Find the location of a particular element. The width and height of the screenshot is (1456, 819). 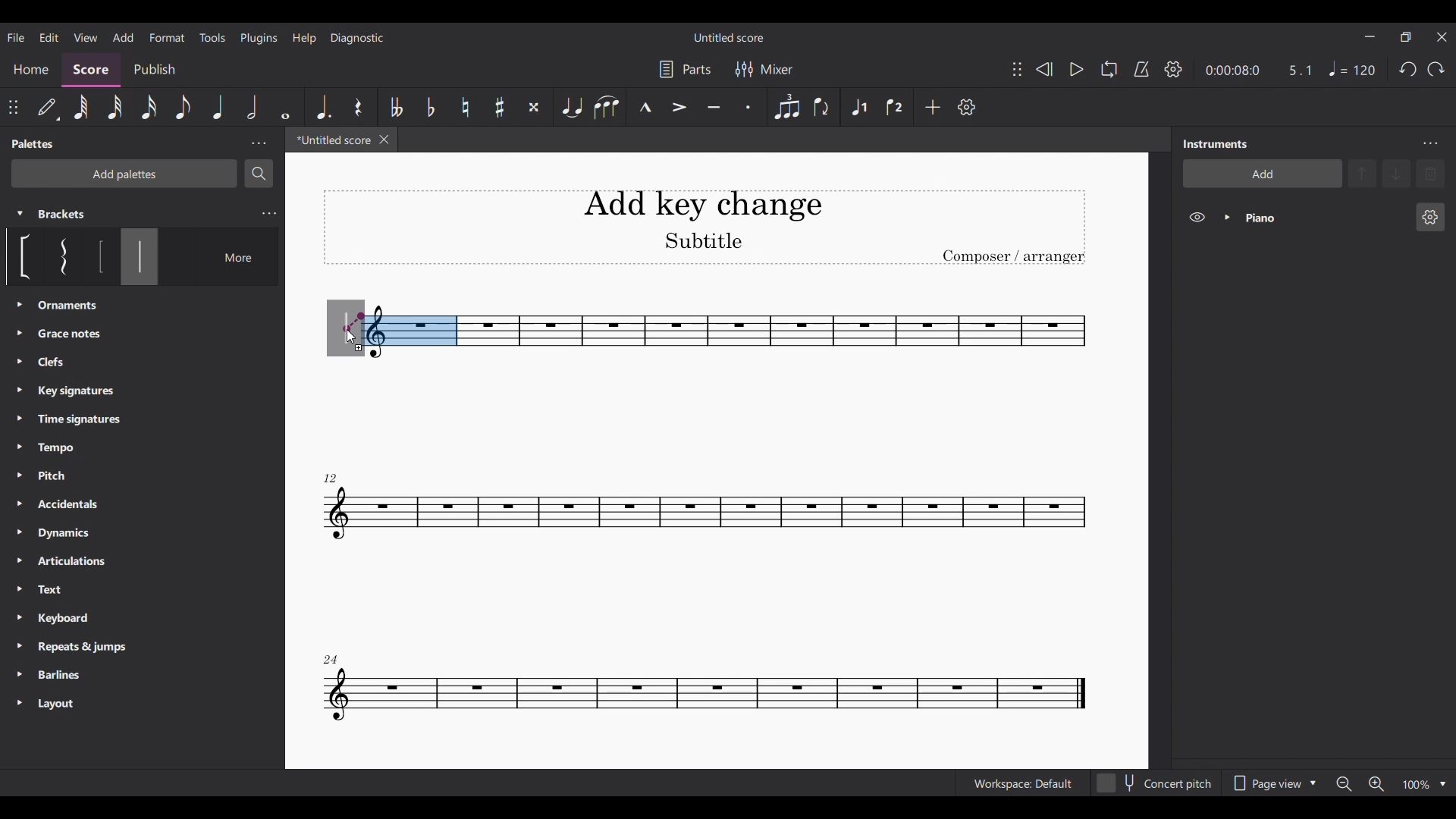

Mixer is located at coordinates (764, 70).